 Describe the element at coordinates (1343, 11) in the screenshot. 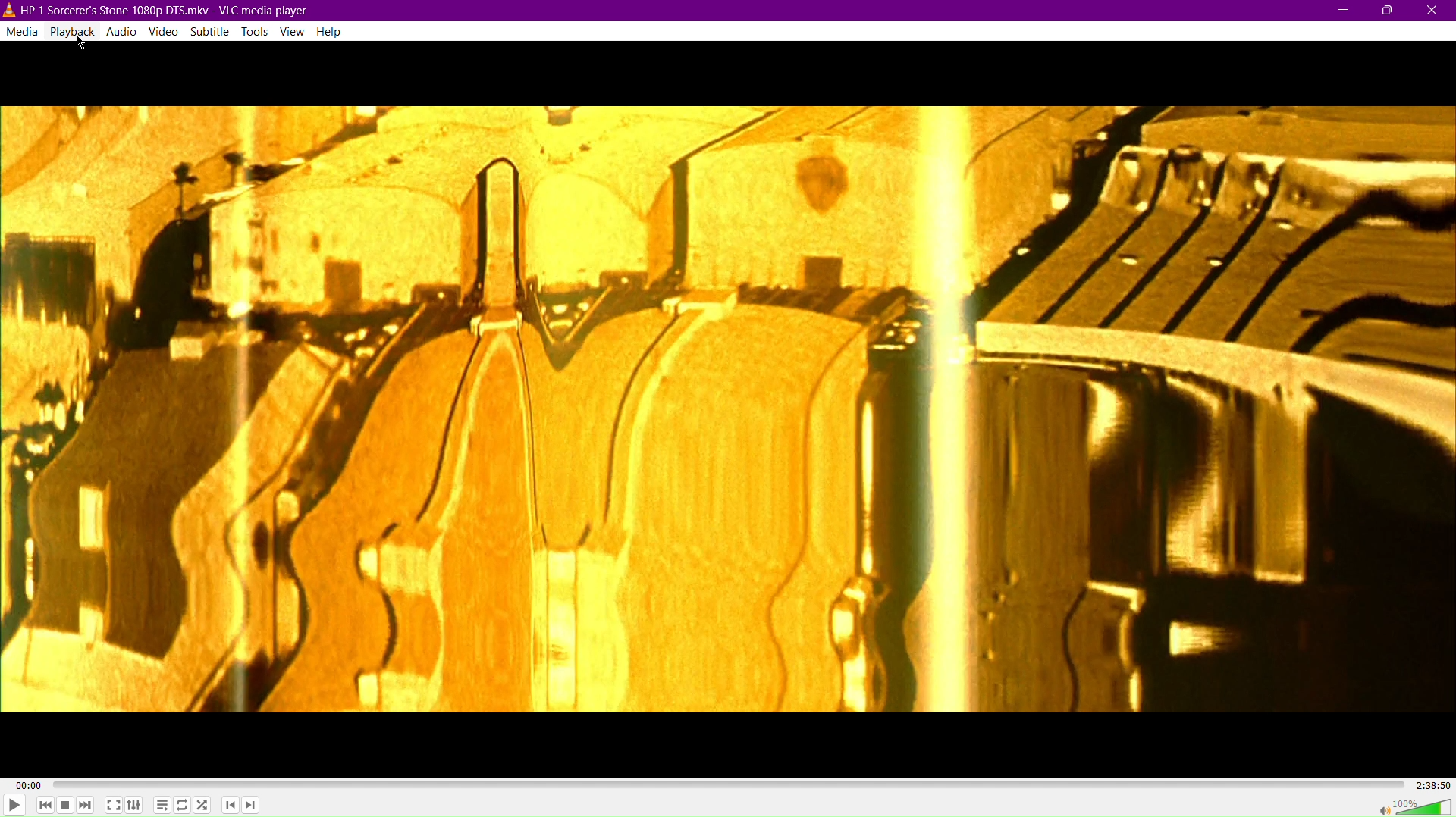

I see `Minimize` at that location.